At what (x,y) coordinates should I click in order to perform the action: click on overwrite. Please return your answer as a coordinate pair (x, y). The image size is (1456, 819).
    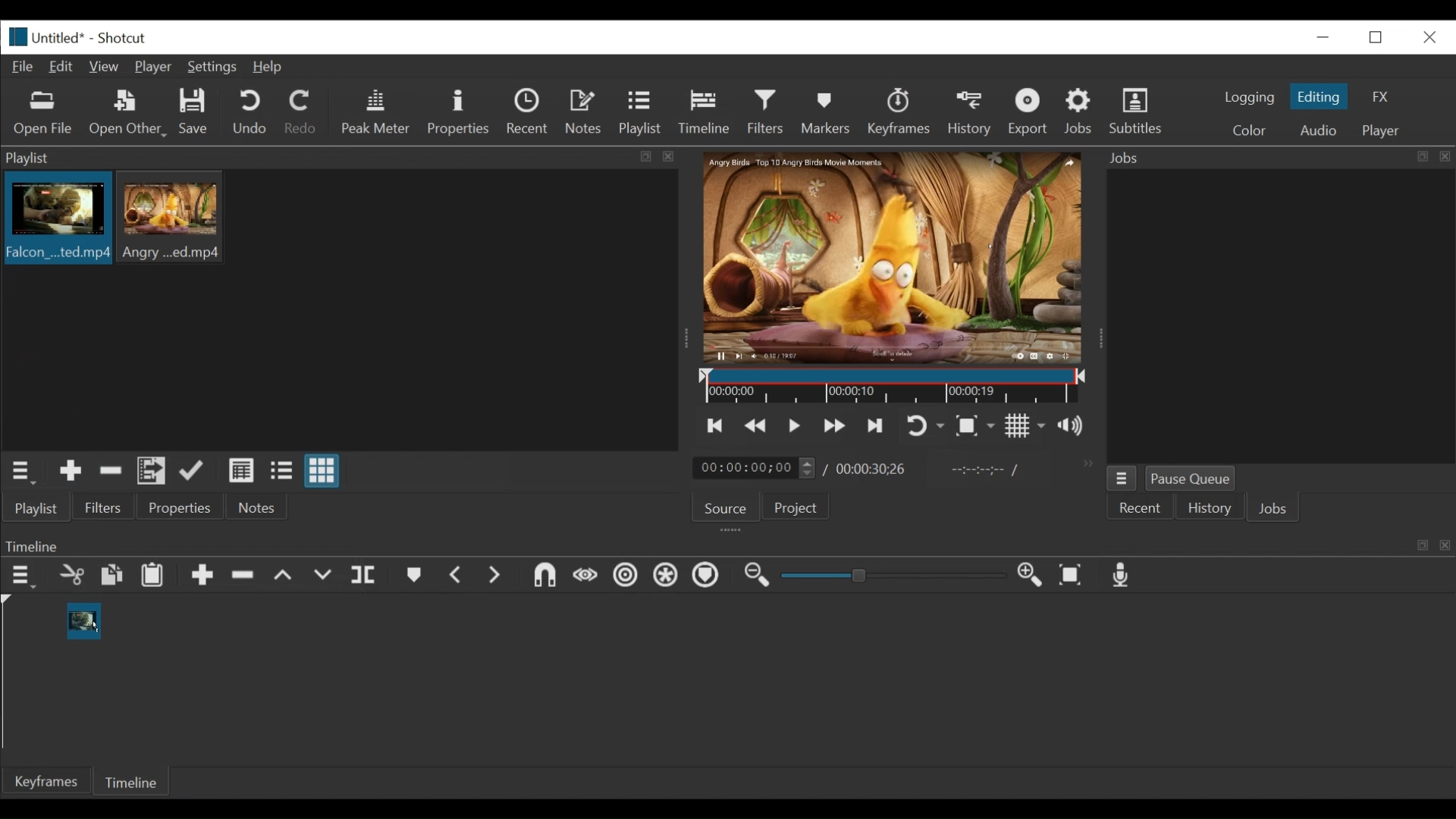
    Looking at the image, I should click on (325, 576).